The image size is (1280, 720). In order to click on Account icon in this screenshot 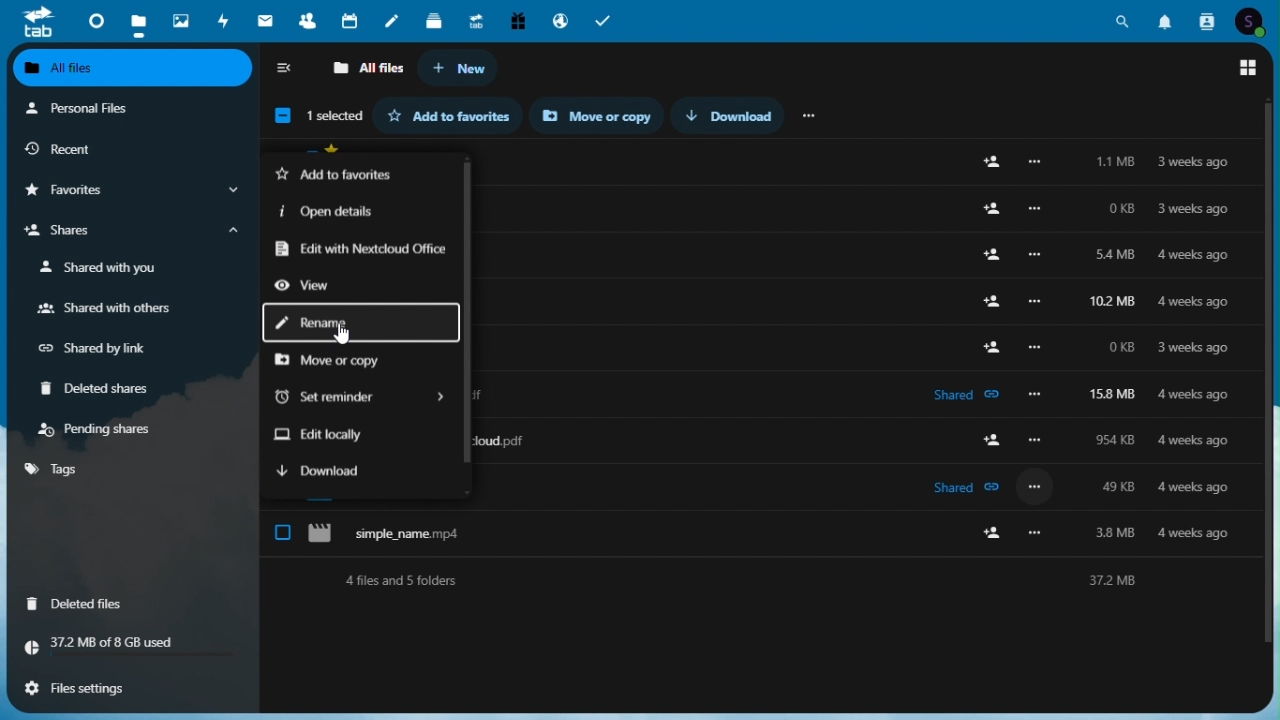, I will do `click(1255, 19)`.